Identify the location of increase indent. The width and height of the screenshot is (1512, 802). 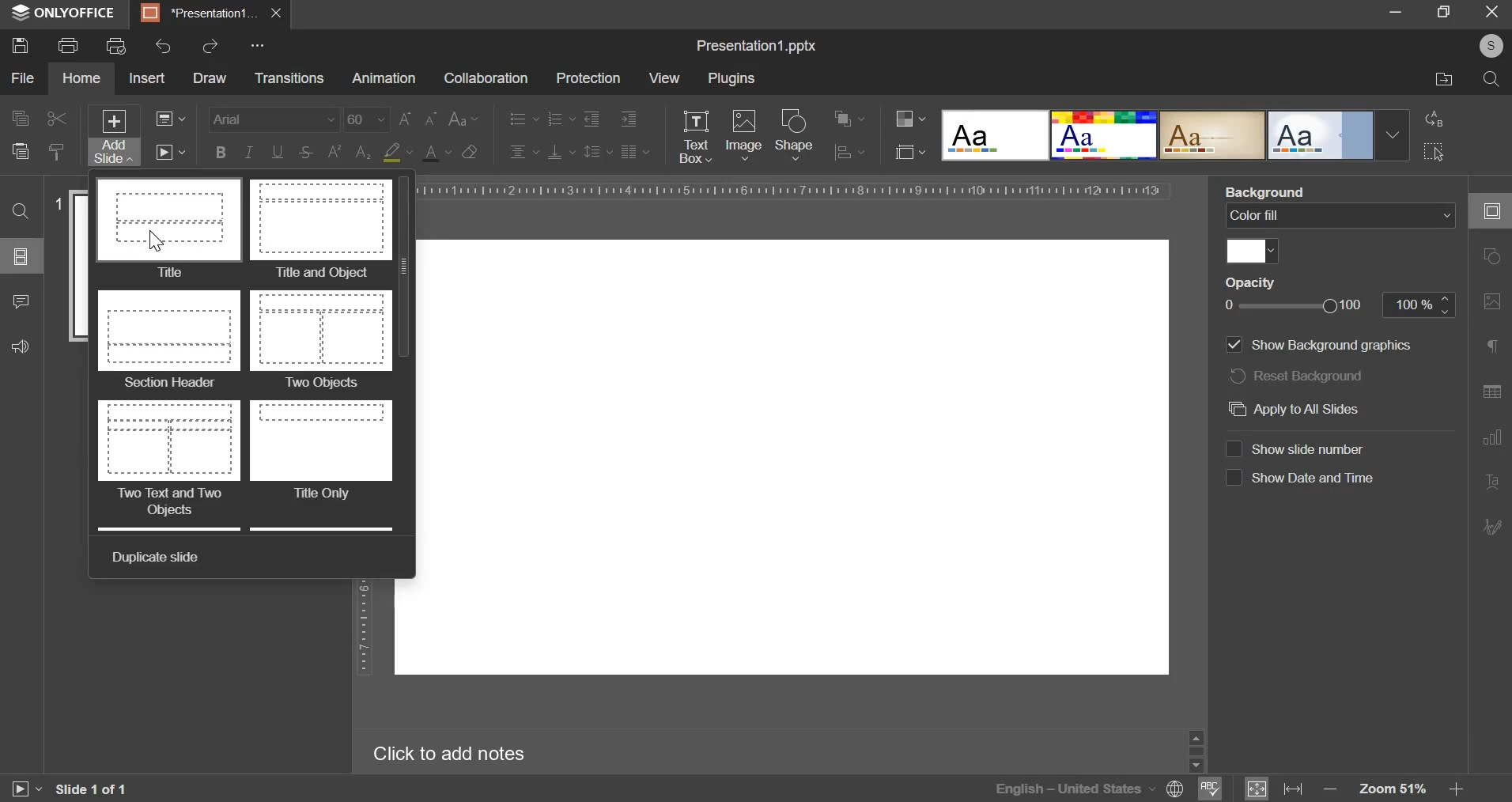
(629, 119).